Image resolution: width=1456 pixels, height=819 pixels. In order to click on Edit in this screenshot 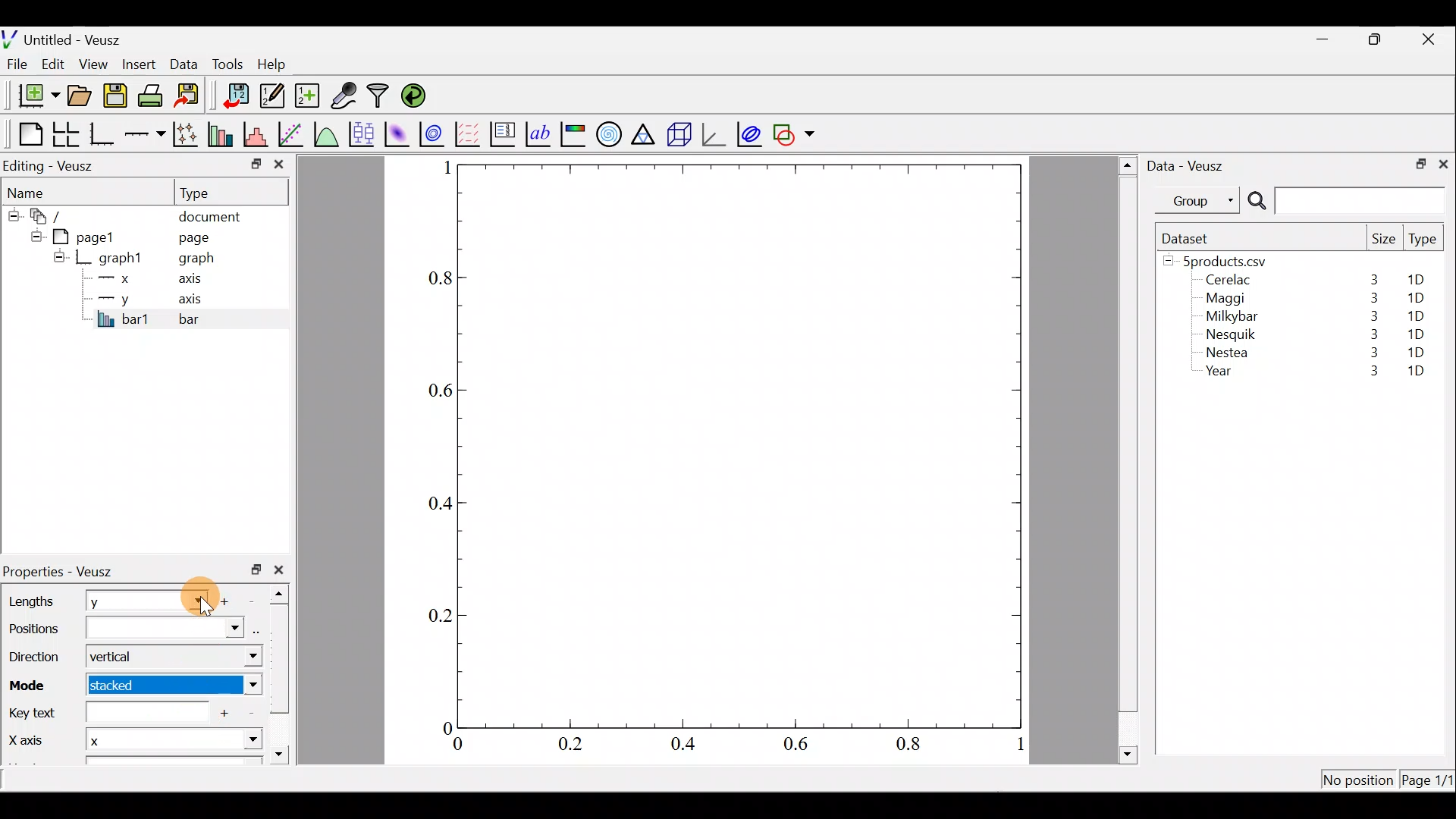, I will do `click(53, 63)`.